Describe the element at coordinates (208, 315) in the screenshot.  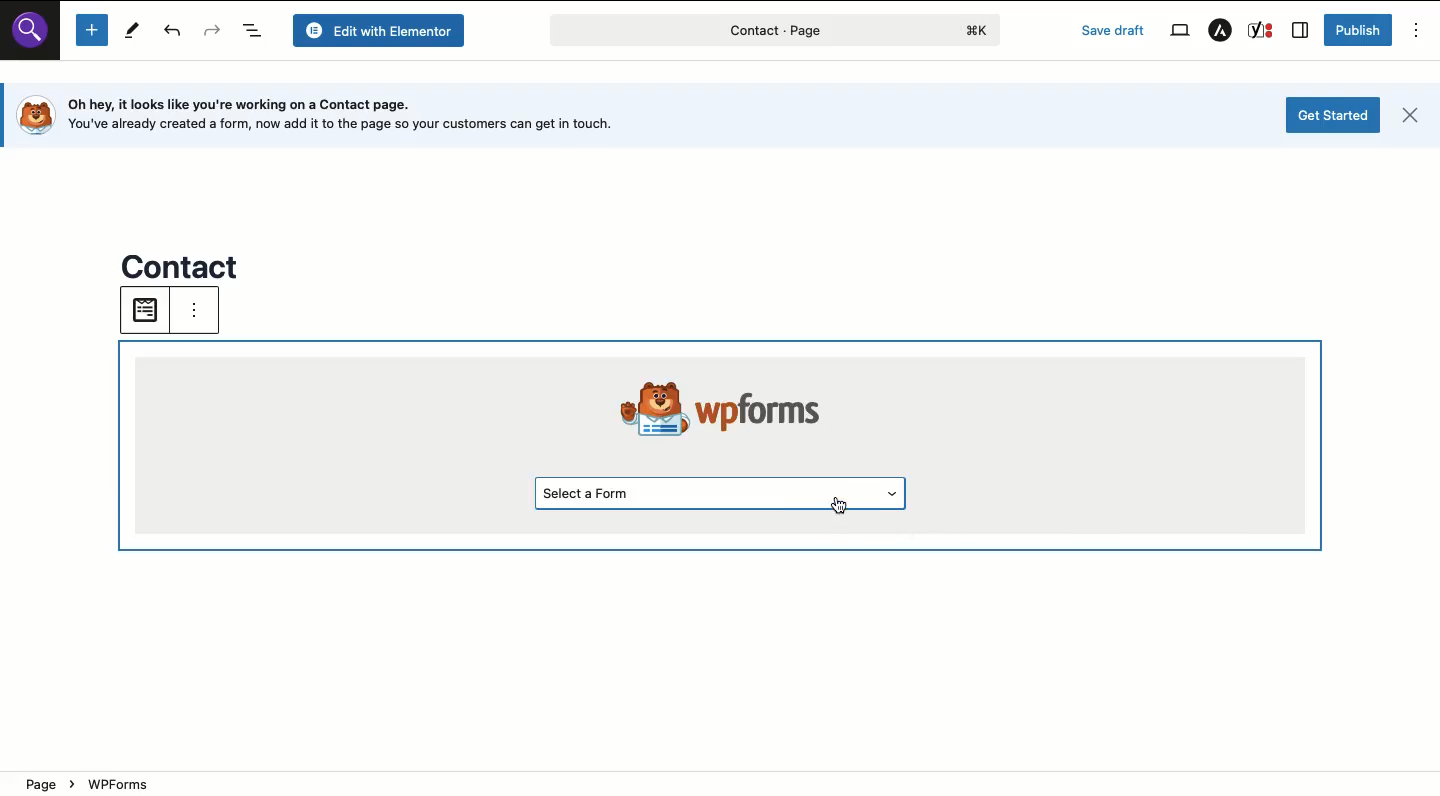
I see `view menu` at that location.